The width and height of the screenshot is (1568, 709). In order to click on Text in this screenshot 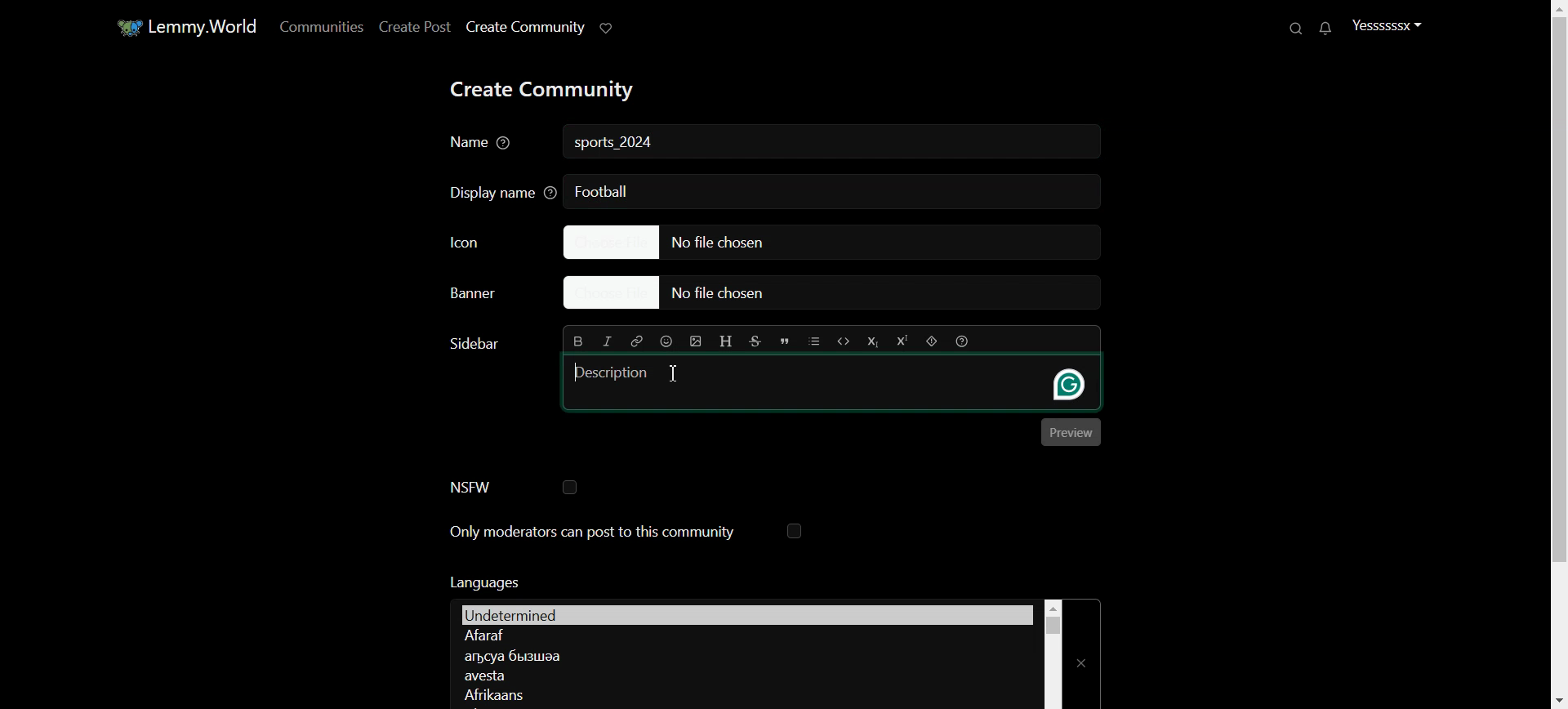, I will do `click(483, 582)`.